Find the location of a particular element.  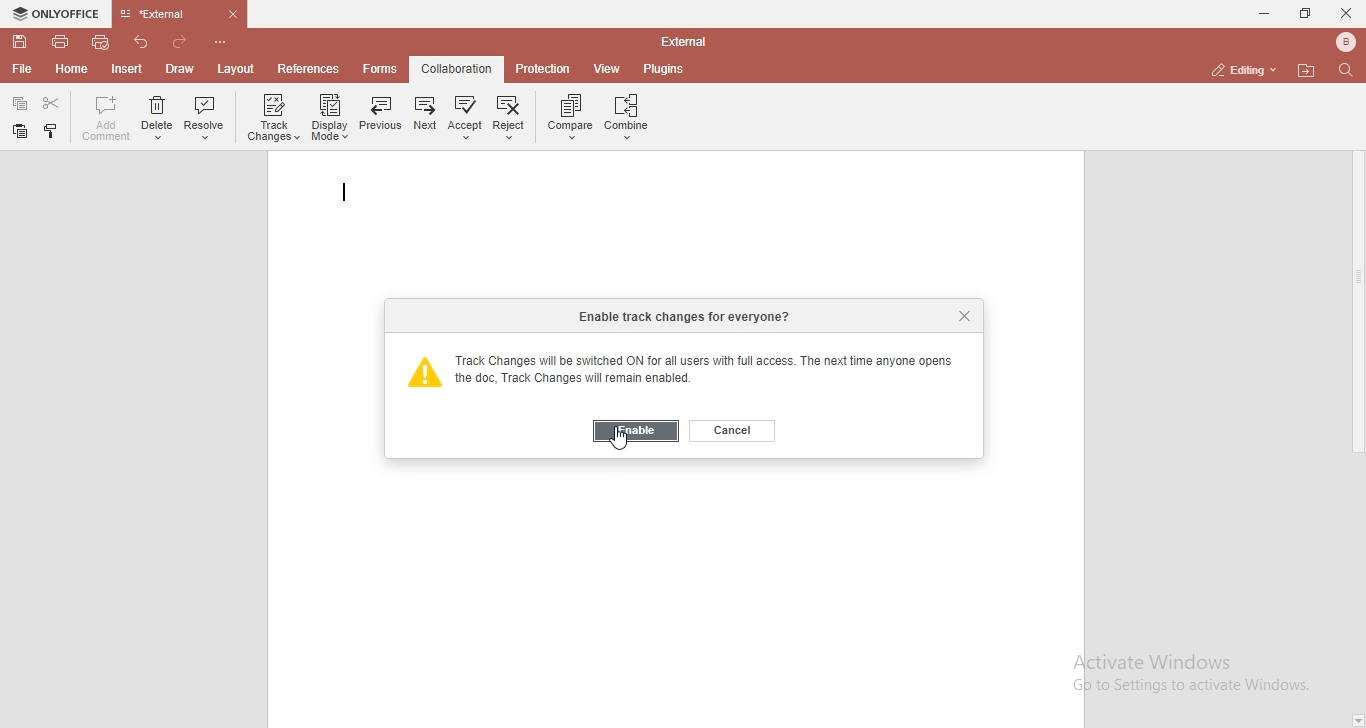

reject is located at coordinates (511, 117).